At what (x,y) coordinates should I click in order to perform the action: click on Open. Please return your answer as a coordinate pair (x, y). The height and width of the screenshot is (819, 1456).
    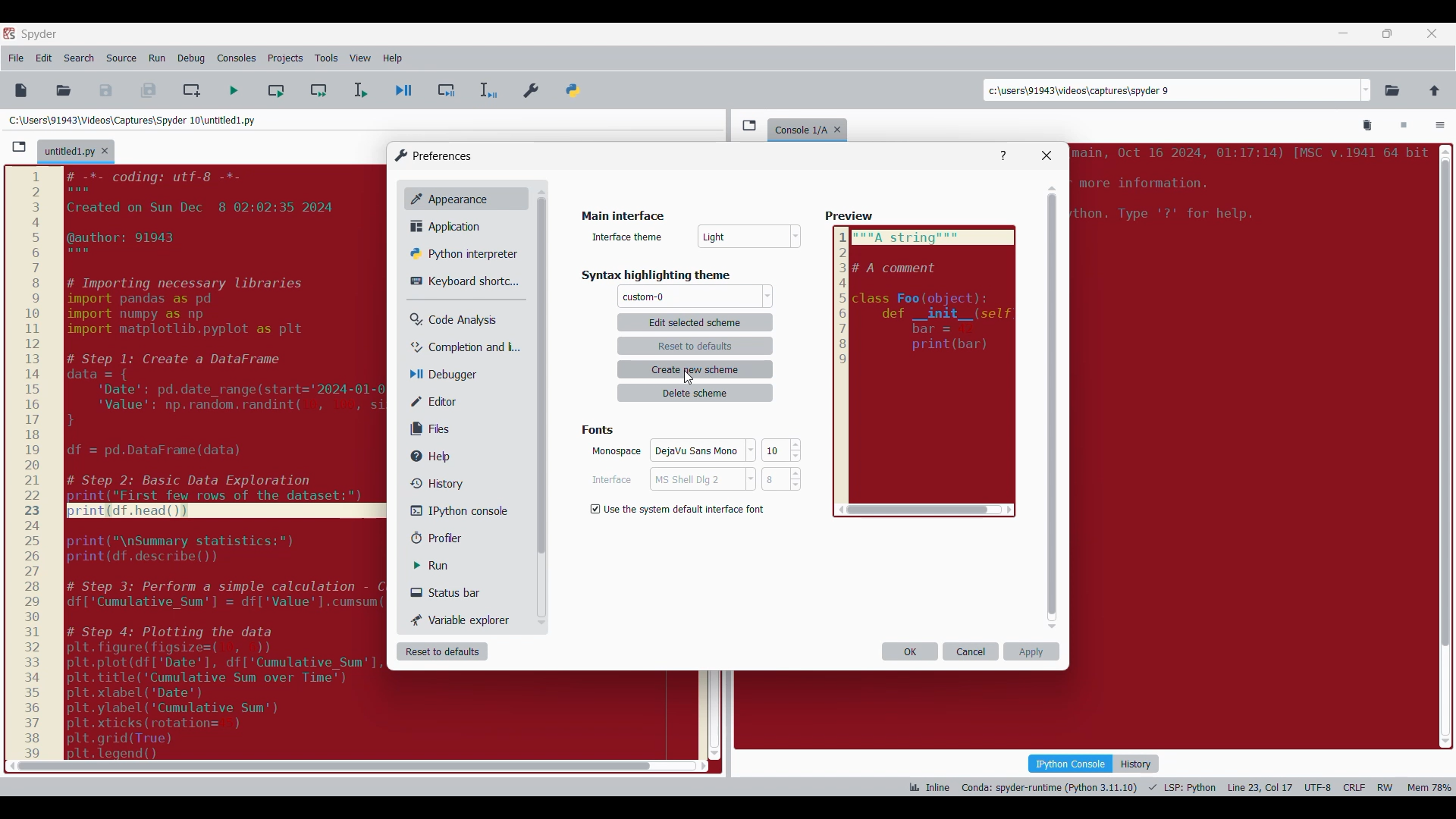
    Looking at the image, I should click on (64, 90).